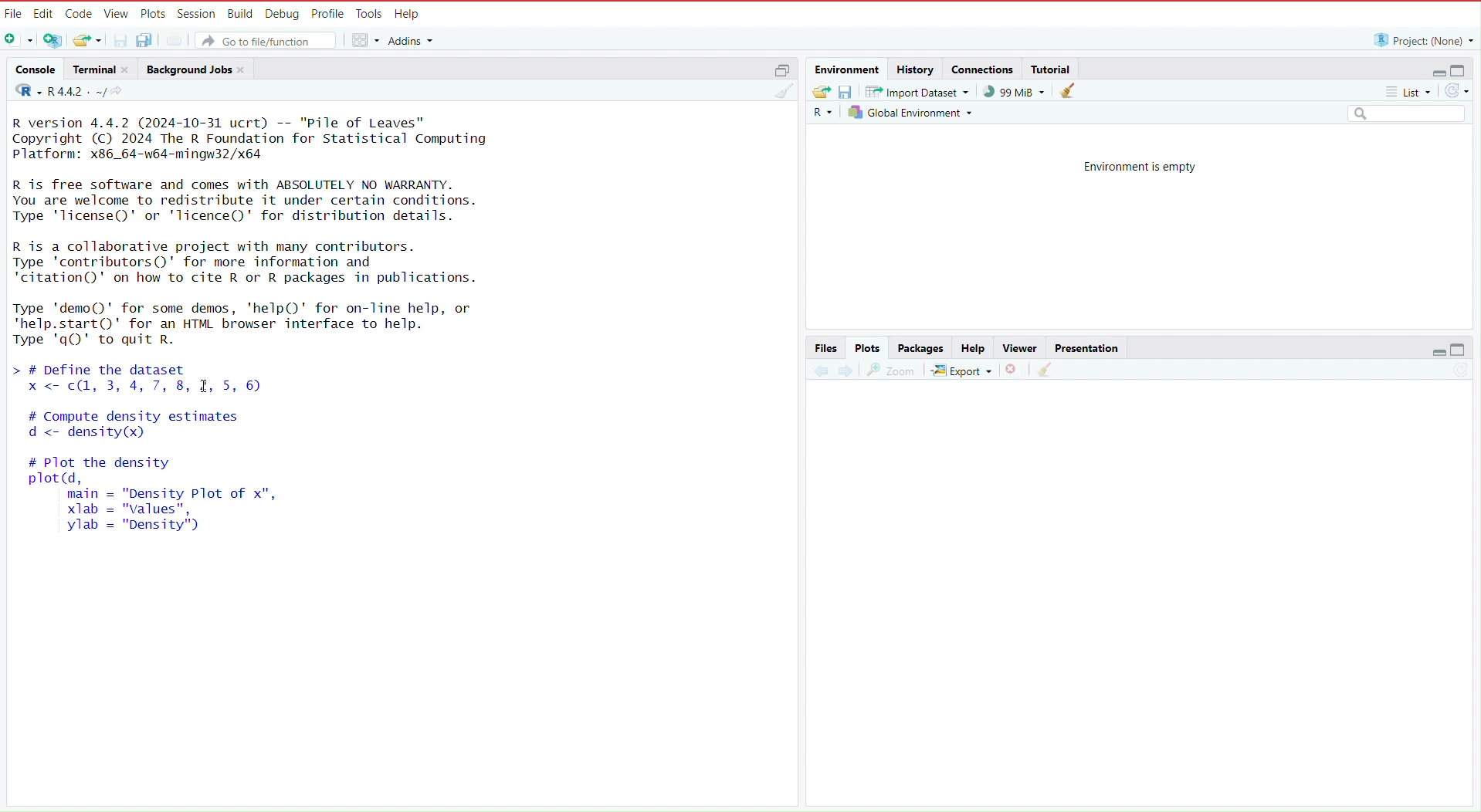 This screenshot has height=812, width=1481. I want to click on open an existing file, so click(88, 41).